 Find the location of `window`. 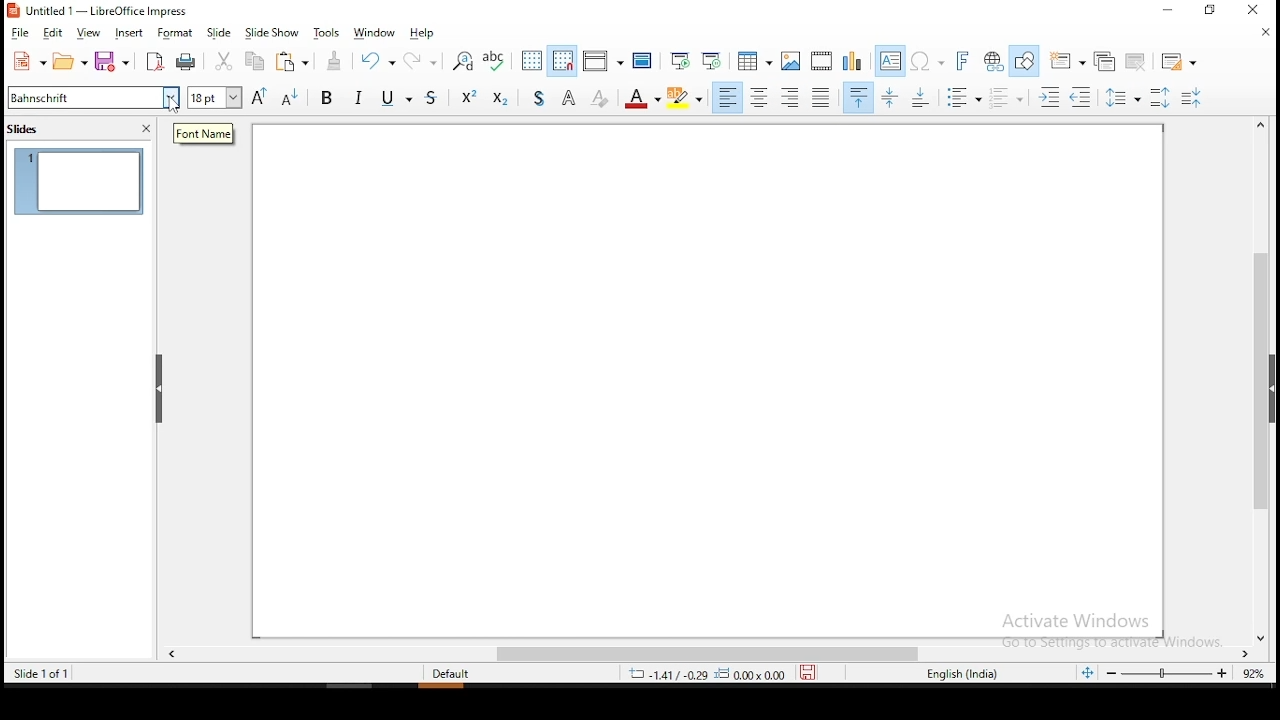

window is located at coordinates (379, 31).